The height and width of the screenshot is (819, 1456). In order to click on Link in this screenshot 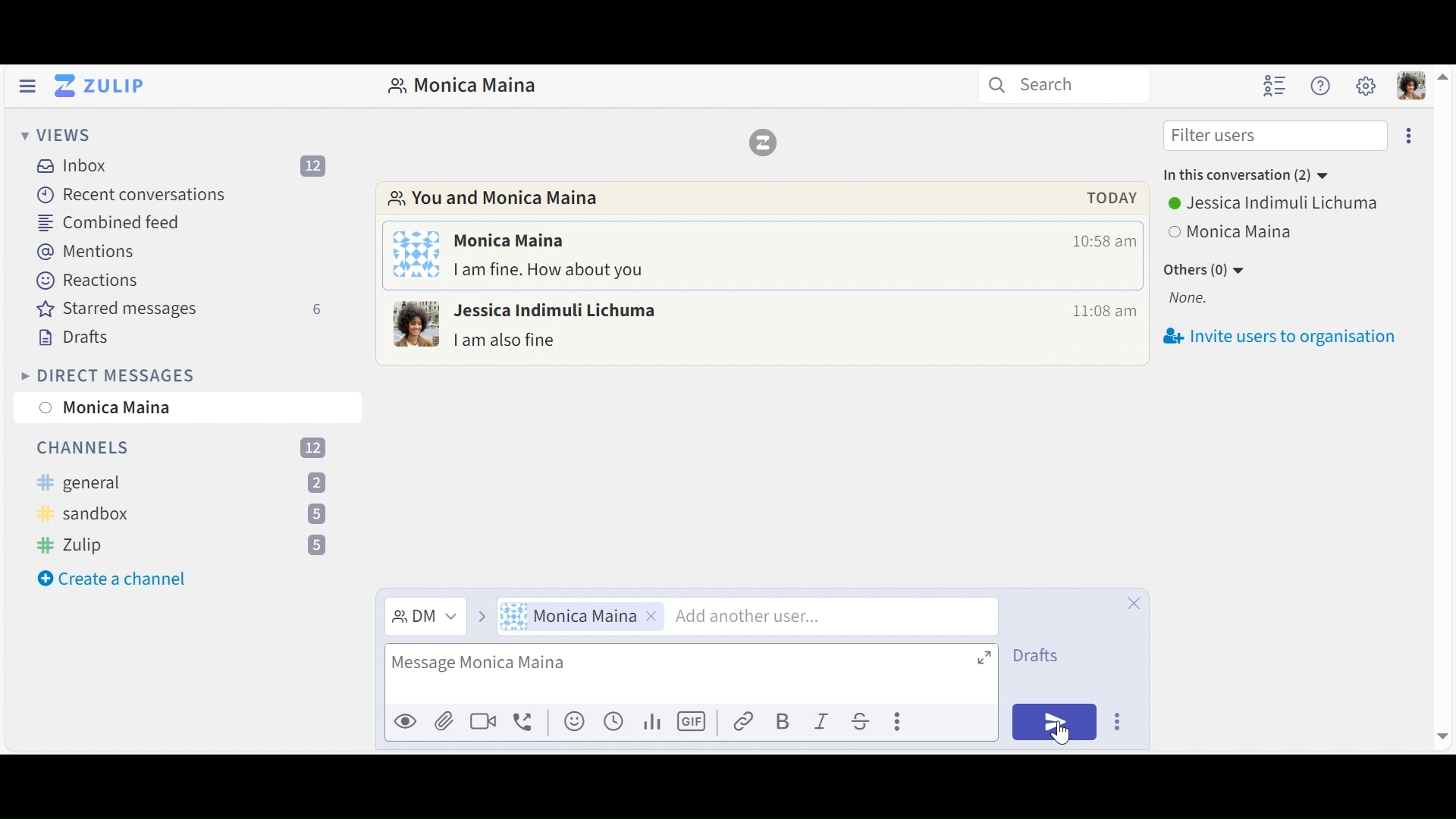, I will do `click(747, 723)`.